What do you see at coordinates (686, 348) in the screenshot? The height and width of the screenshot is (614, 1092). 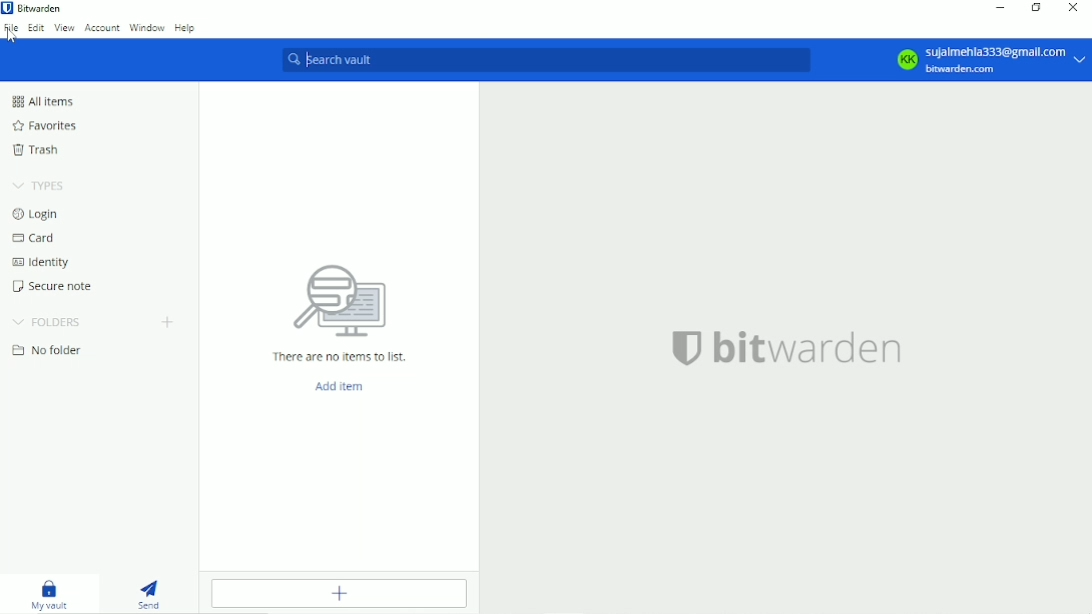 I see `logo` at bounding box center [686, 348].